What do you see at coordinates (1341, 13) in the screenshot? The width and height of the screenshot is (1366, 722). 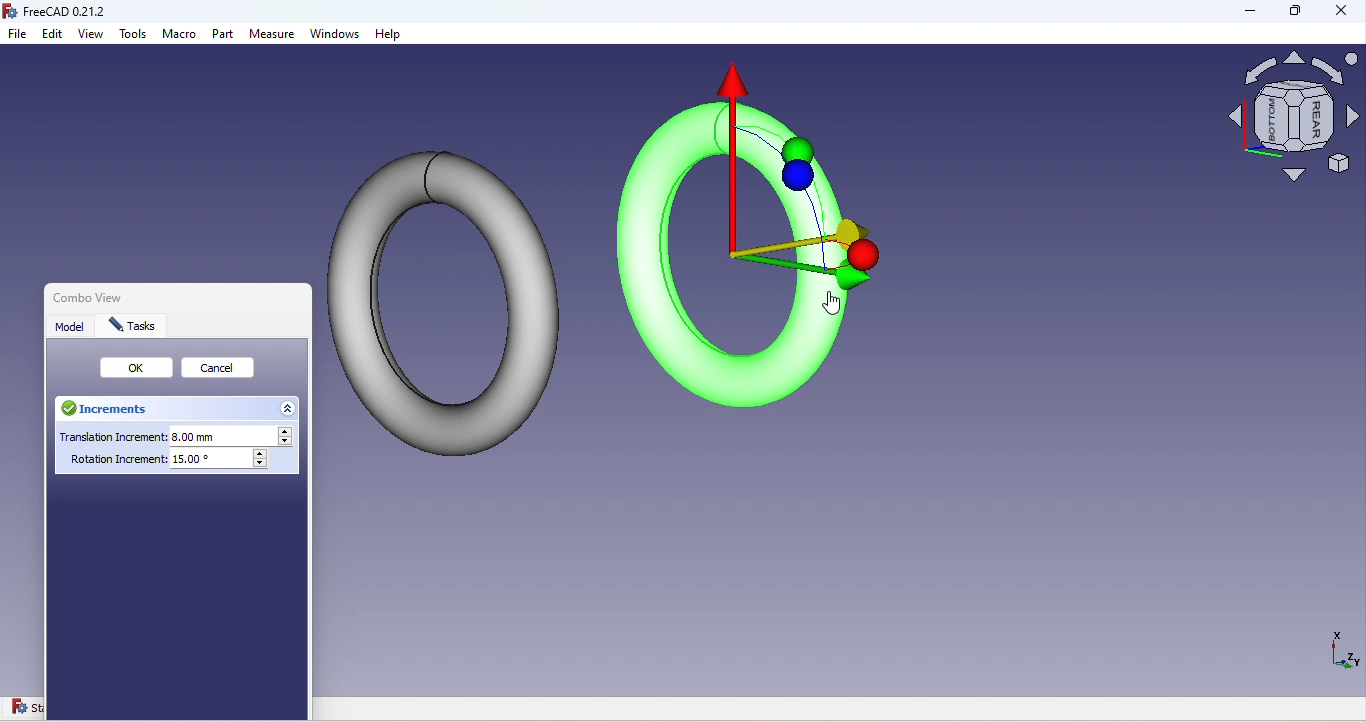 I see `Close` at bounding box center [1341, 13].